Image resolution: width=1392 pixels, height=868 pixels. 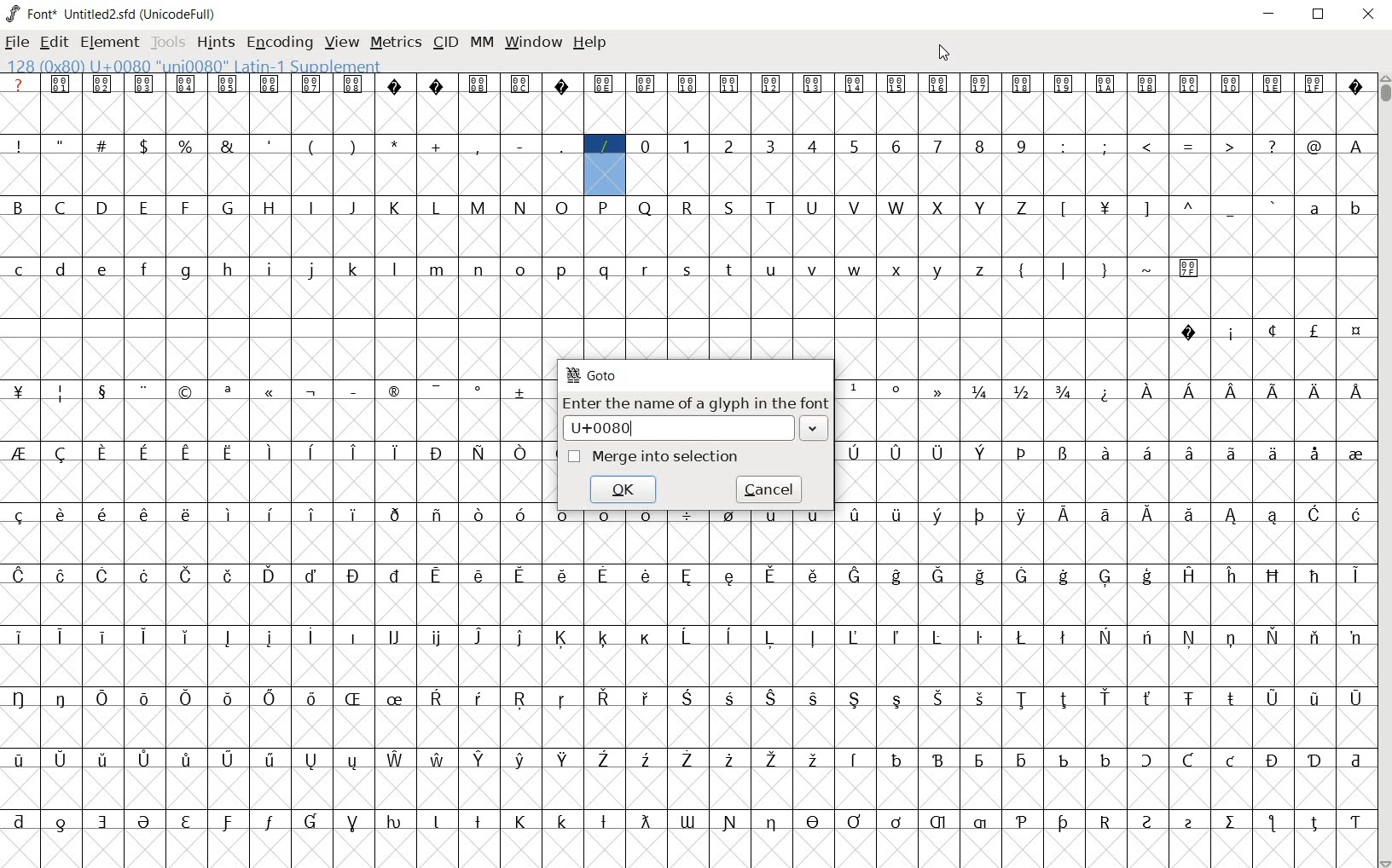 What do you see at coordinates (478, 453) in the screenshot?
I see `glyph` at bounding box center [478, 453].